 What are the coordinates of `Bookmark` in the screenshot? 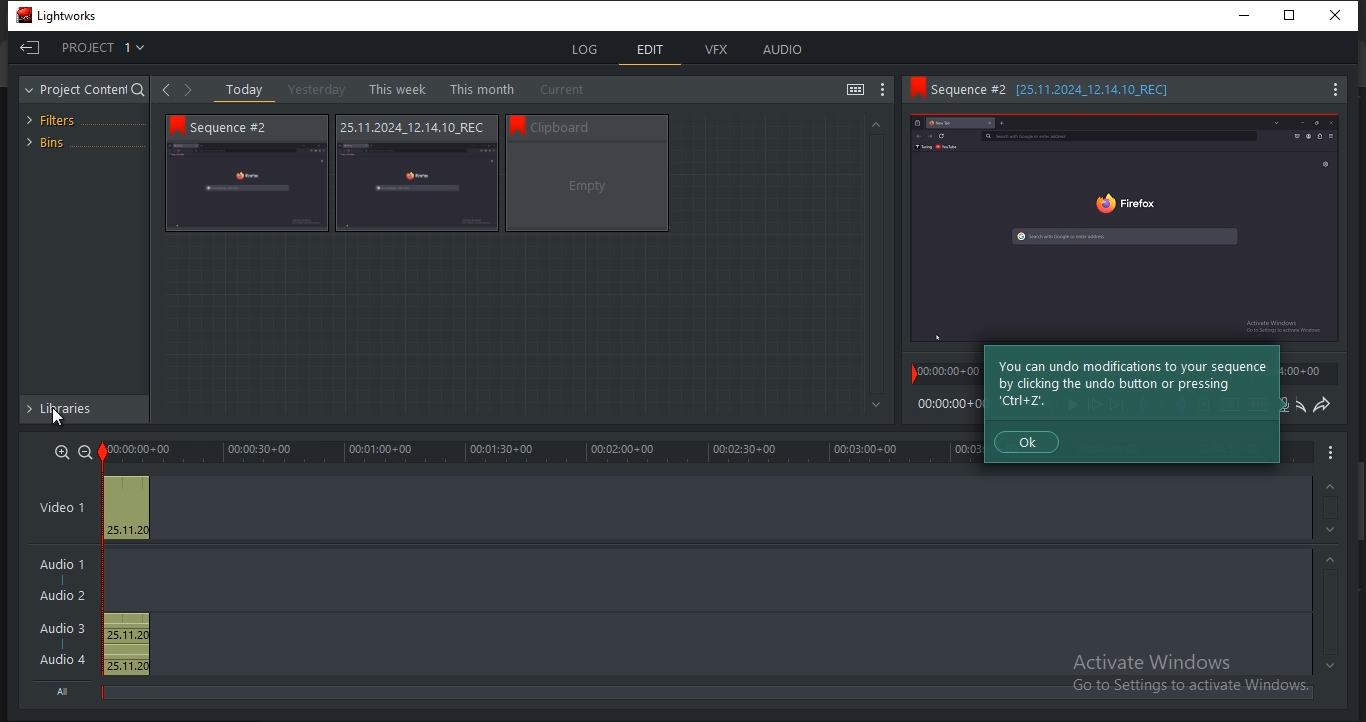 It's located at (916, 90).